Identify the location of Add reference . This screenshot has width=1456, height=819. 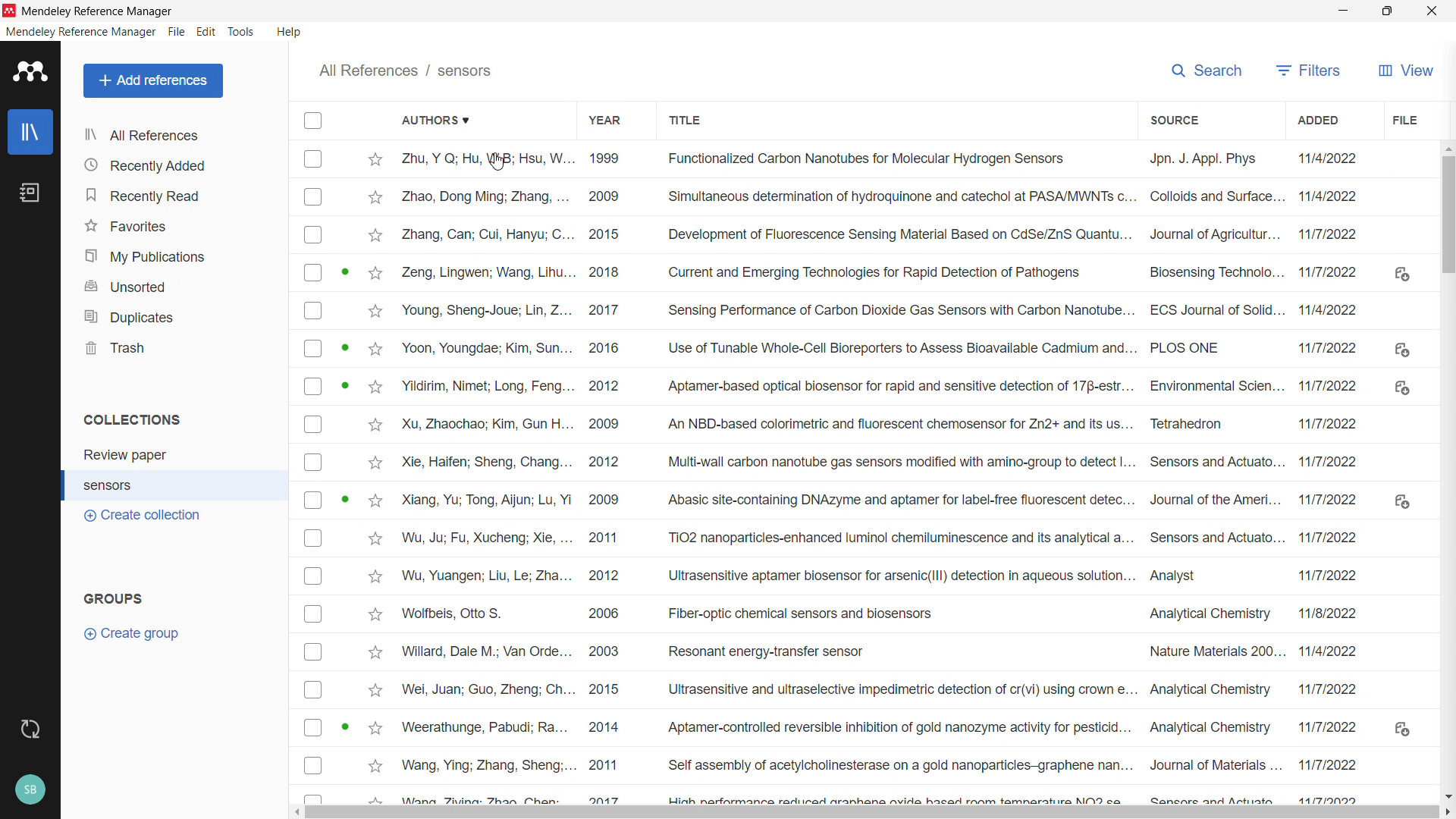
(154, 81).